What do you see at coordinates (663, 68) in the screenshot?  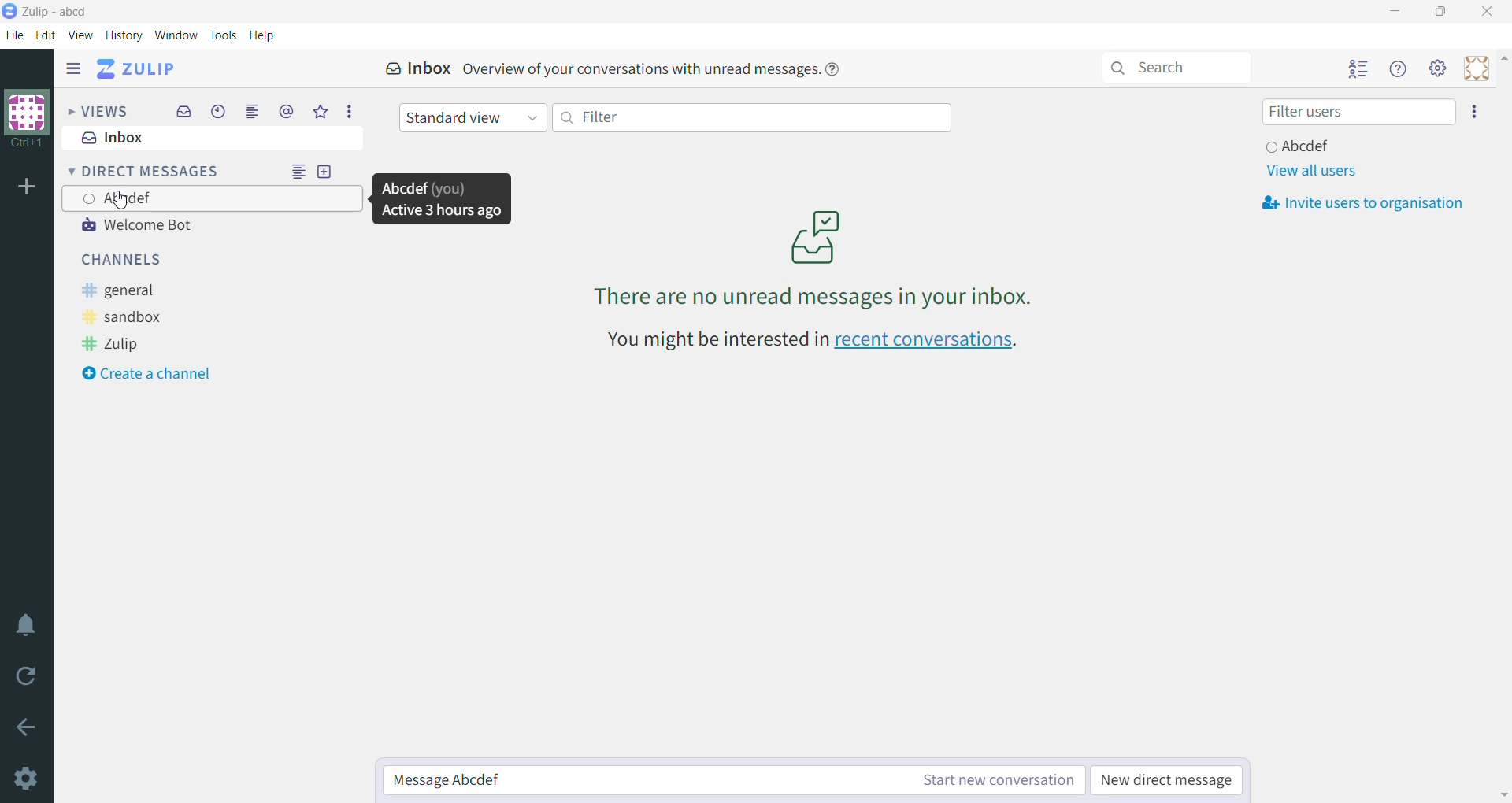 I see `Overview of your conversations with unread messages` at bounding box center [663, 68].